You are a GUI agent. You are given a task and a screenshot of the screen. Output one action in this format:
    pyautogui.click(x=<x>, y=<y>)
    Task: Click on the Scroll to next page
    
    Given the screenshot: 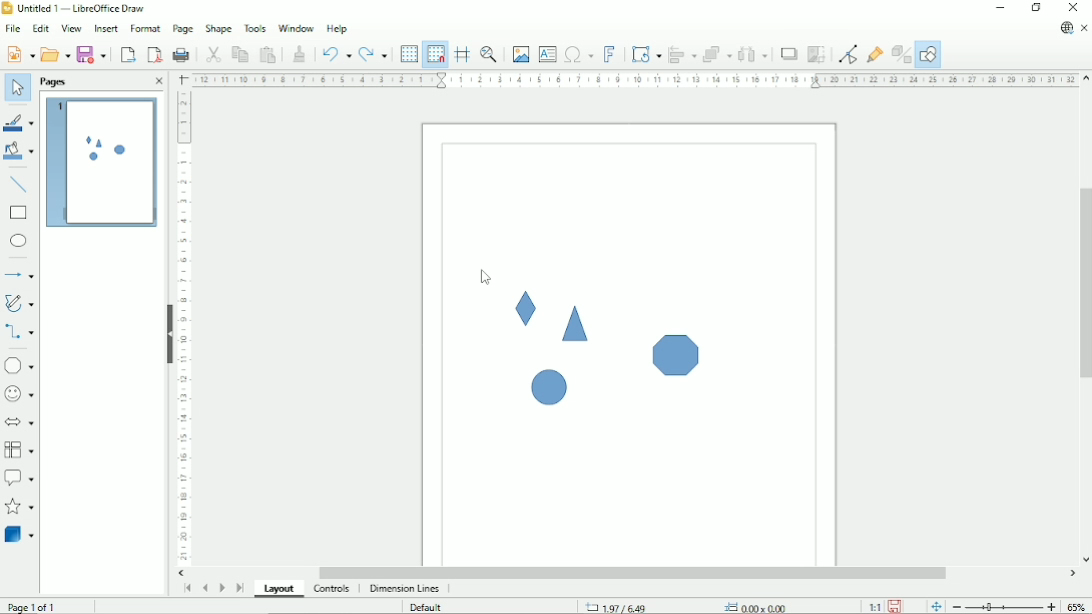 What is the action you would take?
    pyautogui.click(x=222, y=586)
    